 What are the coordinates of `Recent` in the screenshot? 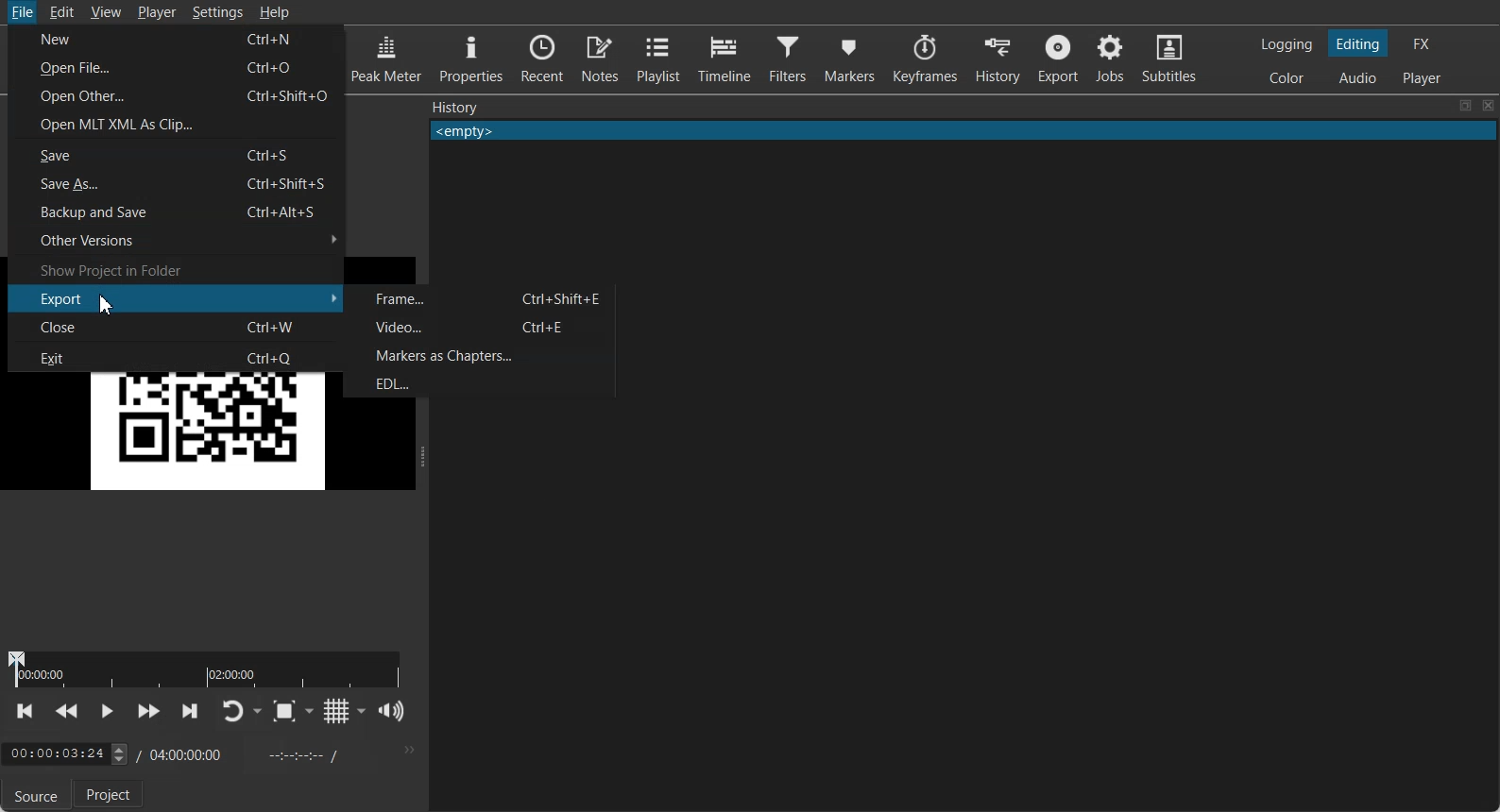 It's located at (542, 57).